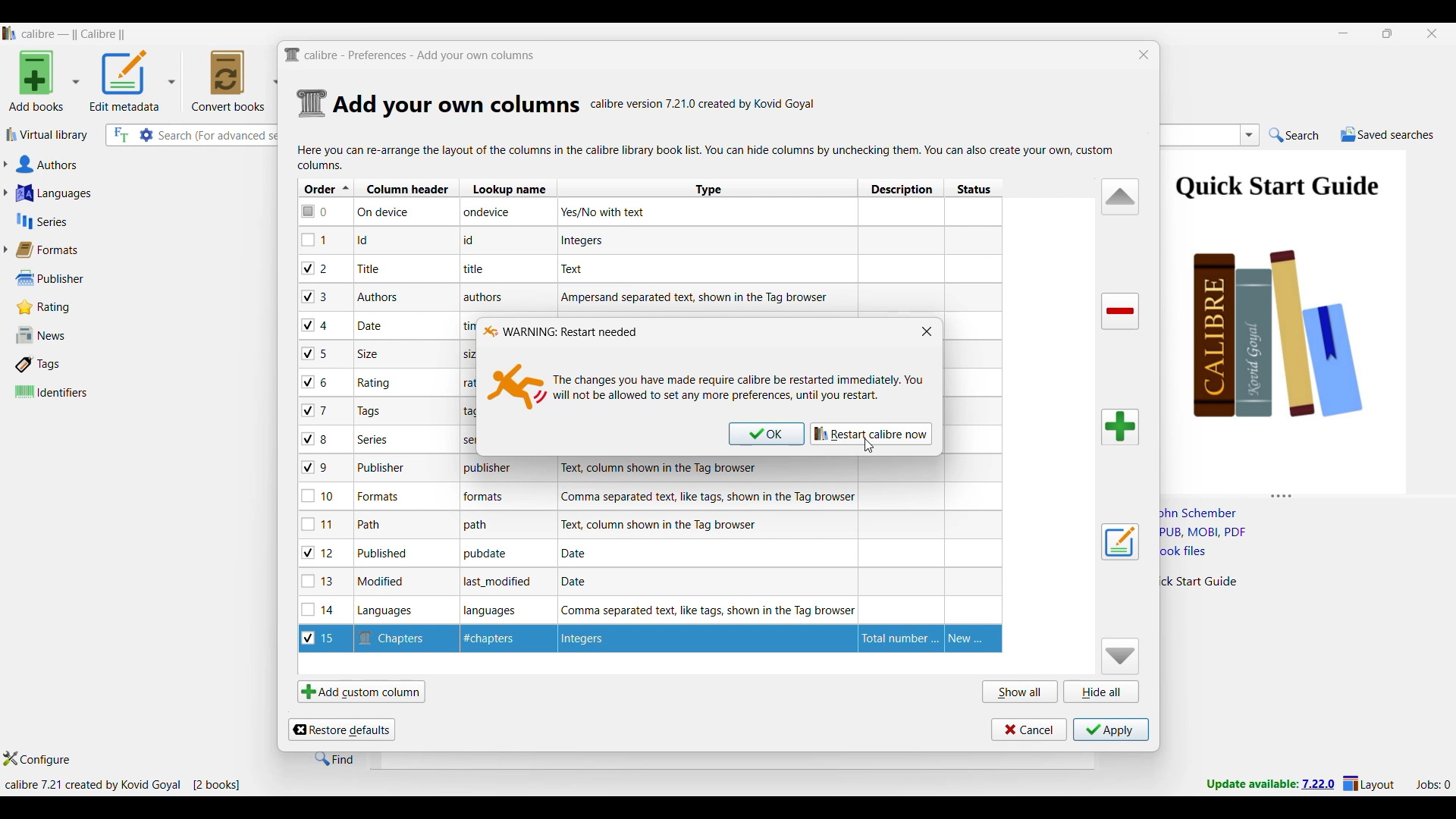 Image resolution: width=1456 pixels, height=819 pixels. What do you see at coordinates (380, 295) in the screenshot?
I see `Note` at bounding box center [380, 295].